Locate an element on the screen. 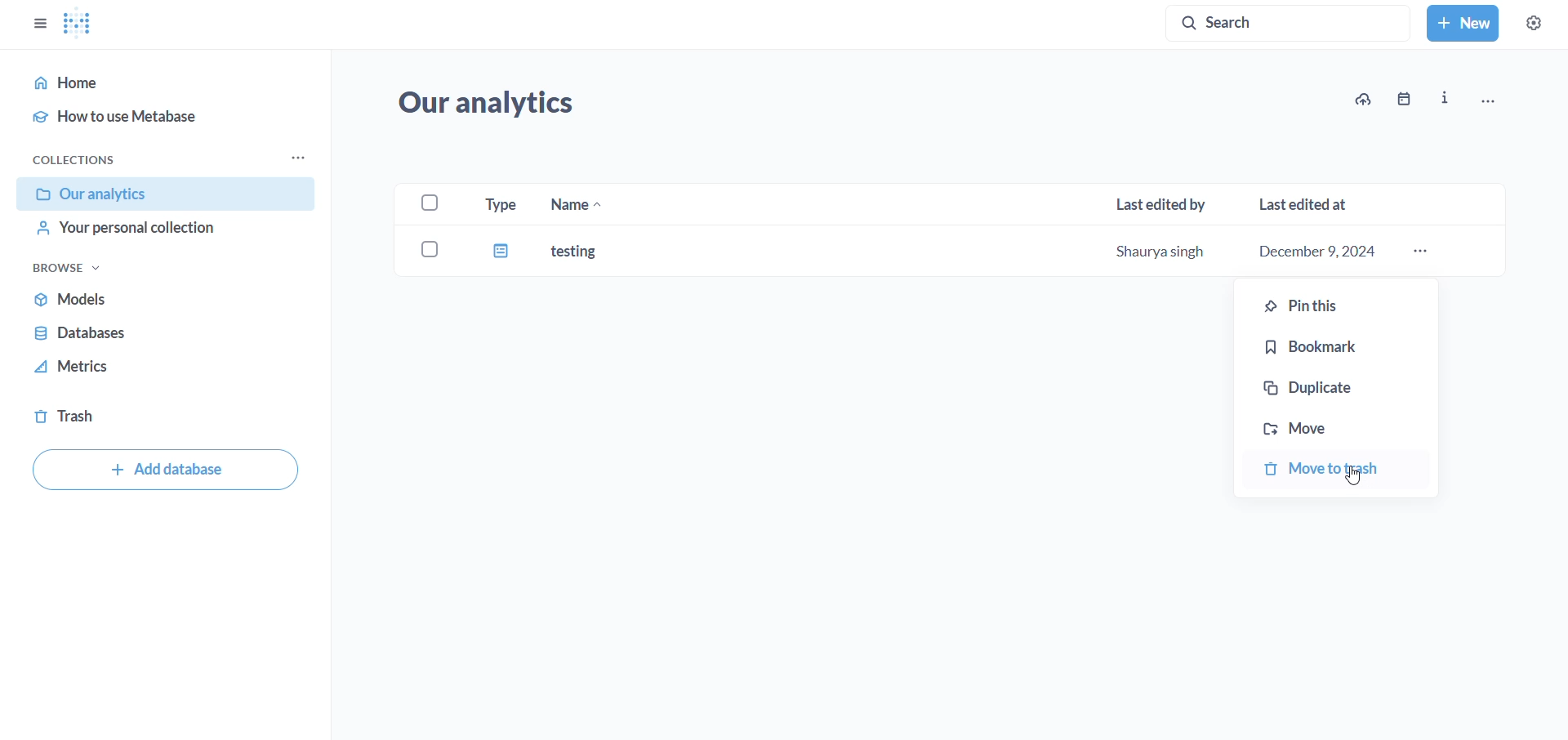  trash is located at coordinates (129, 413).